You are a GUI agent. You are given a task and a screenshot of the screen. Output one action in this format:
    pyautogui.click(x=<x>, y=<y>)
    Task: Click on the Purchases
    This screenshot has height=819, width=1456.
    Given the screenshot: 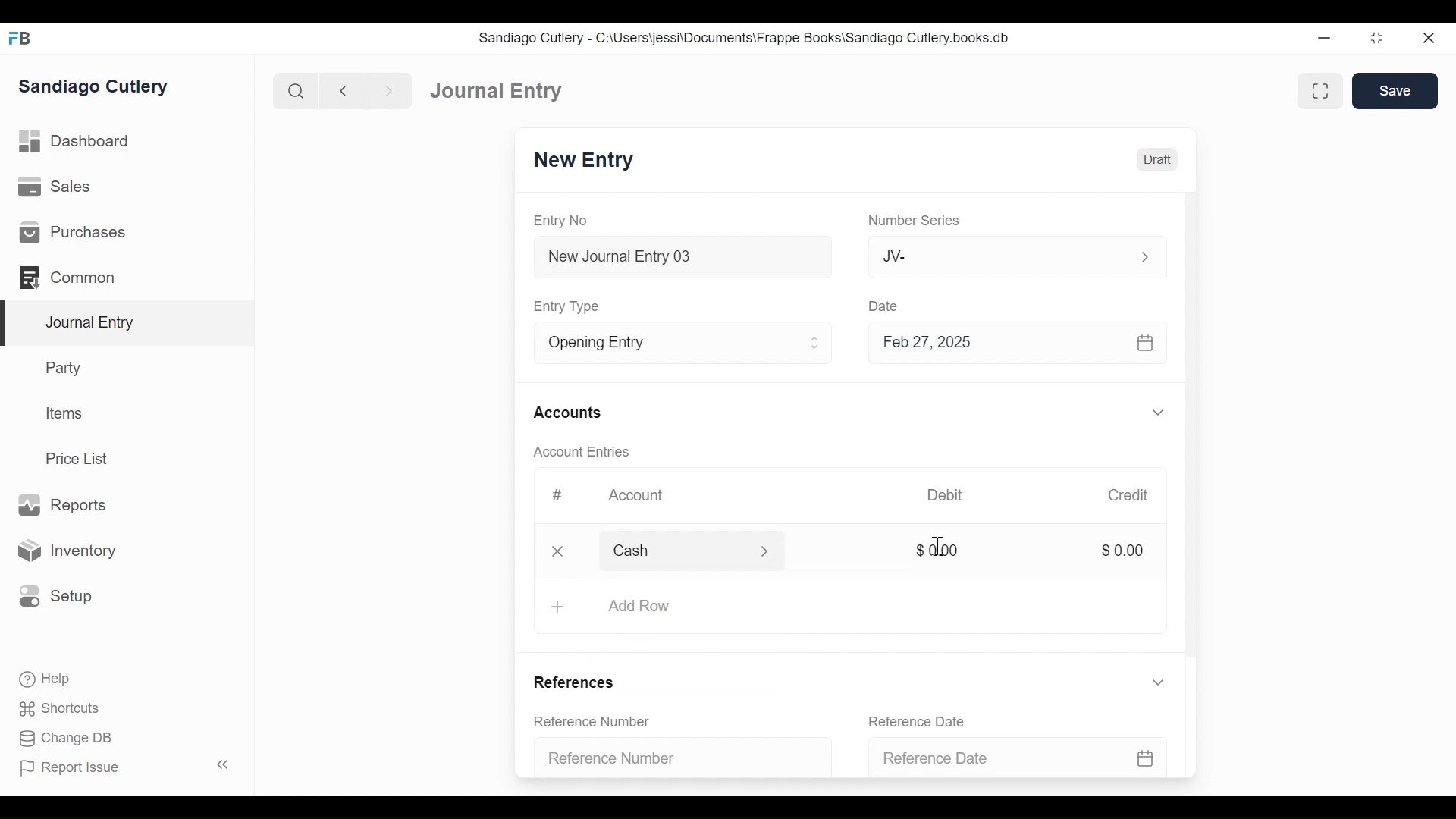 What is the action you would take?
    pyautogui.click(x=75, y=232)
    